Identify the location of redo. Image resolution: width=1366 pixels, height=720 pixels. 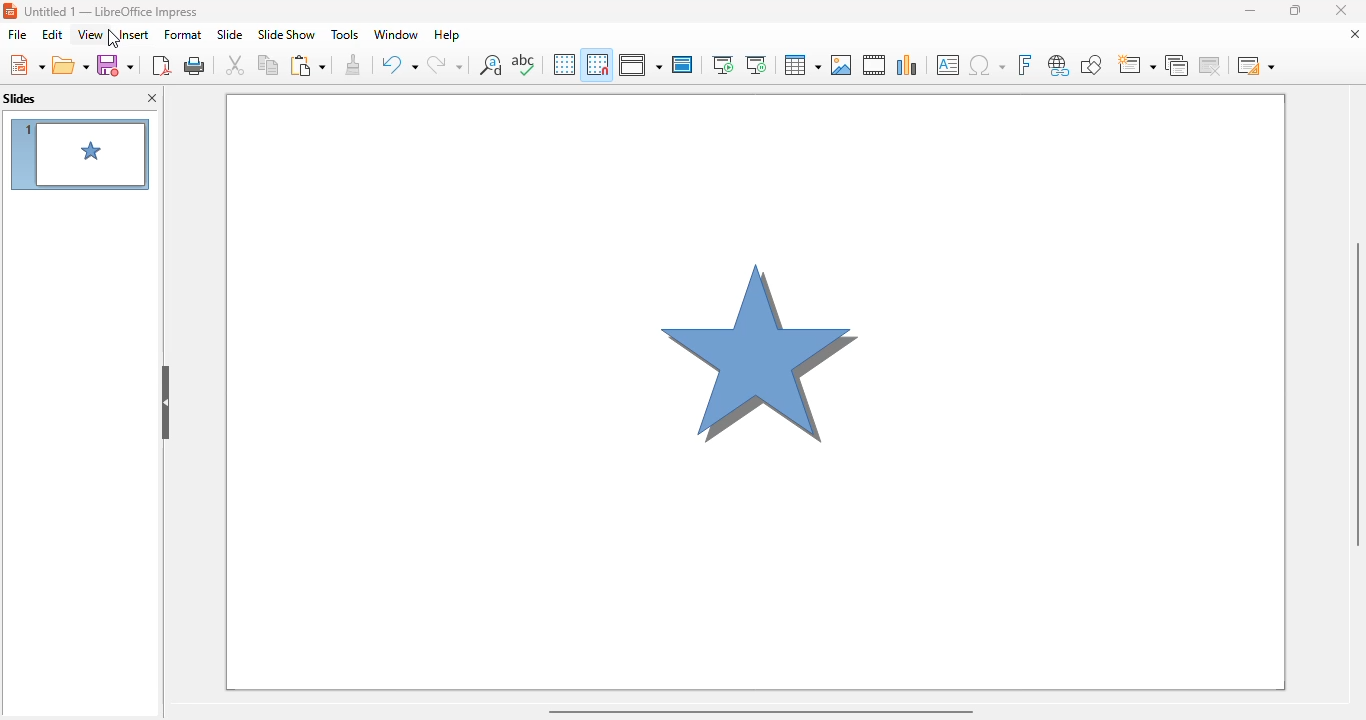
(445, 64).